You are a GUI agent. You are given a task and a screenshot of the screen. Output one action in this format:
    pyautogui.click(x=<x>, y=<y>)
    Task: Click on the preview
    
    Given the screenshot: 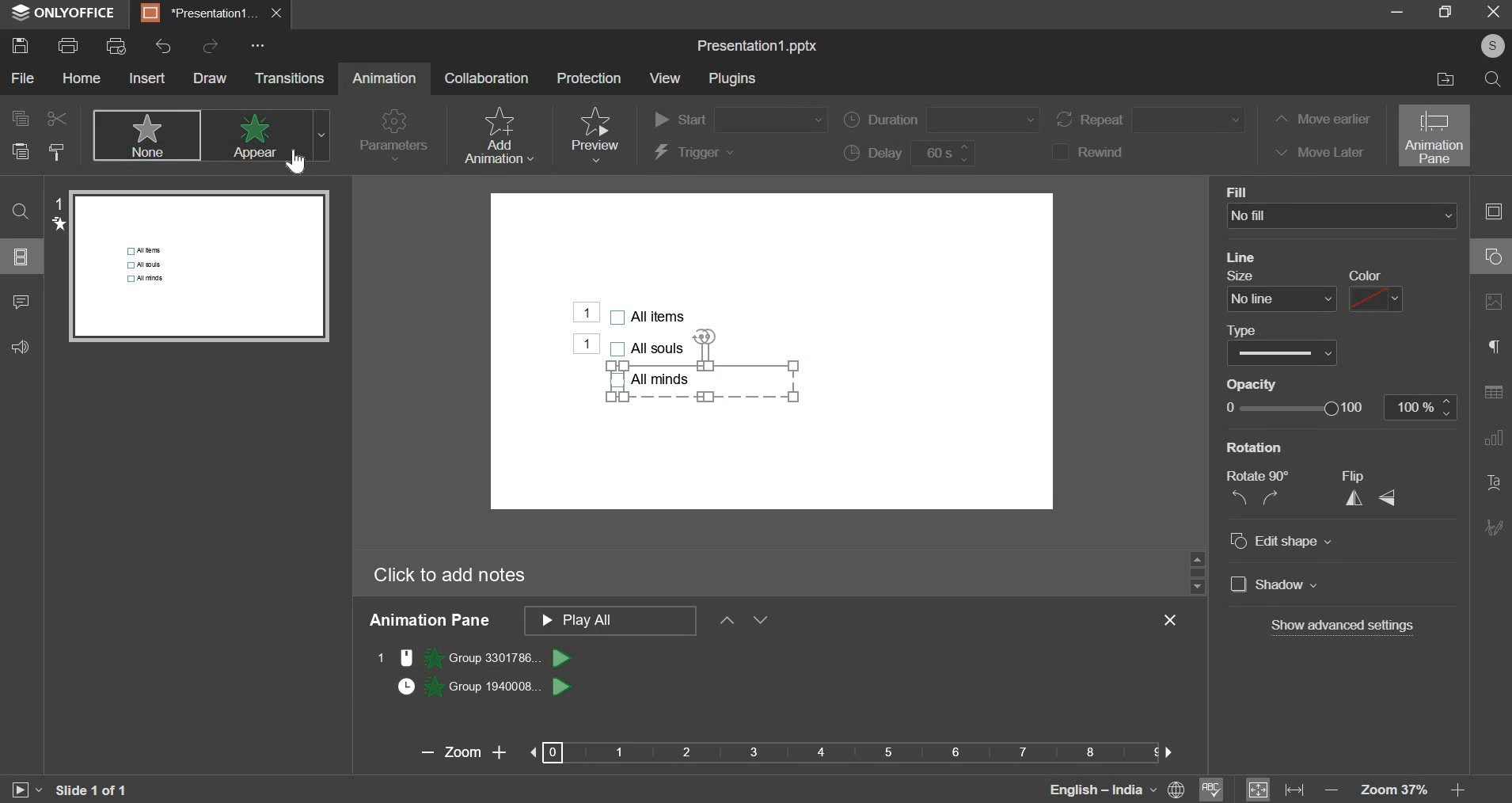 What is the action you would take?
    pyautogui.click(x=594, y=134)
    